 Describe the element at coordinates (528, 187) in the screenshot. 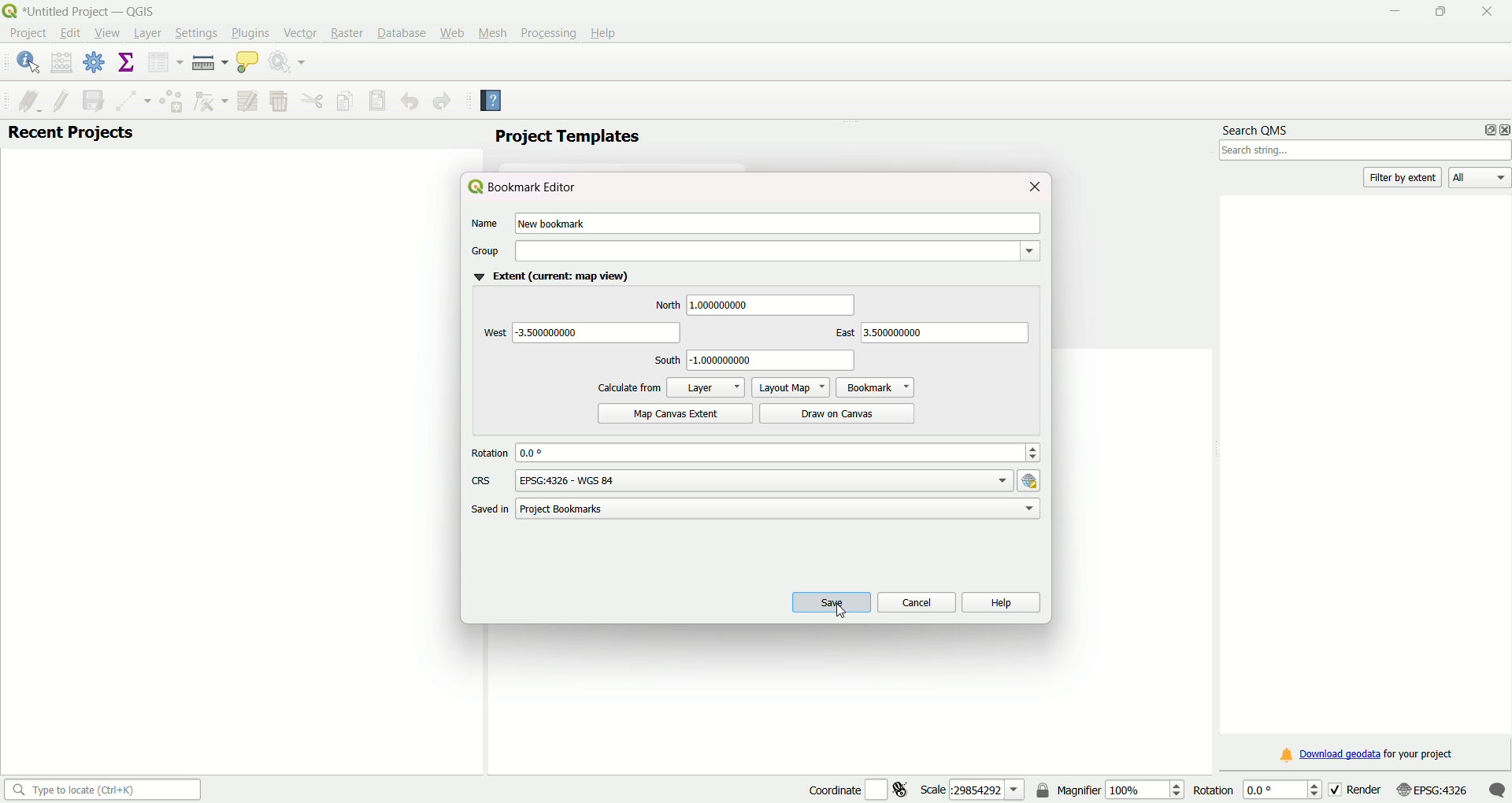

I see `Bookmark editor` at that location.